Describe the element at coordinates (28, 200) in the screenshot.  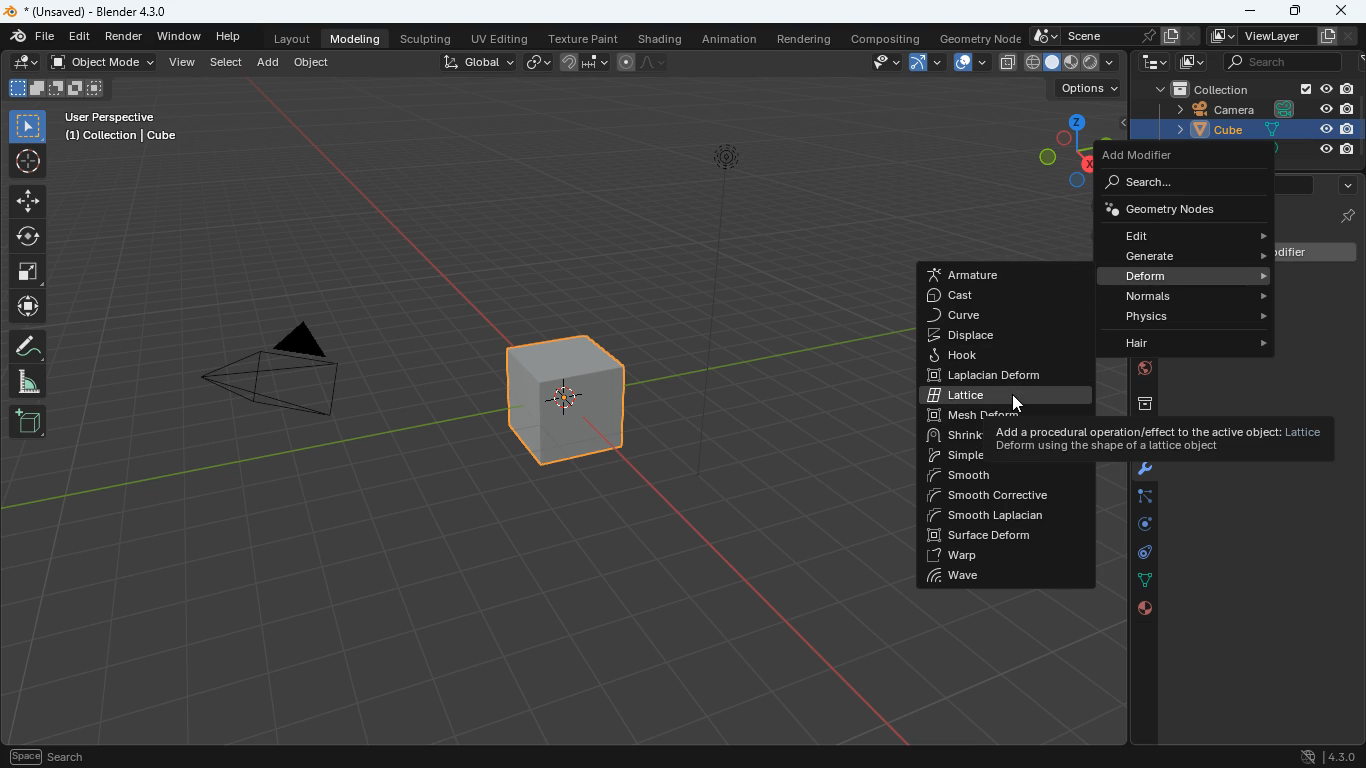
I see `move` at that location.